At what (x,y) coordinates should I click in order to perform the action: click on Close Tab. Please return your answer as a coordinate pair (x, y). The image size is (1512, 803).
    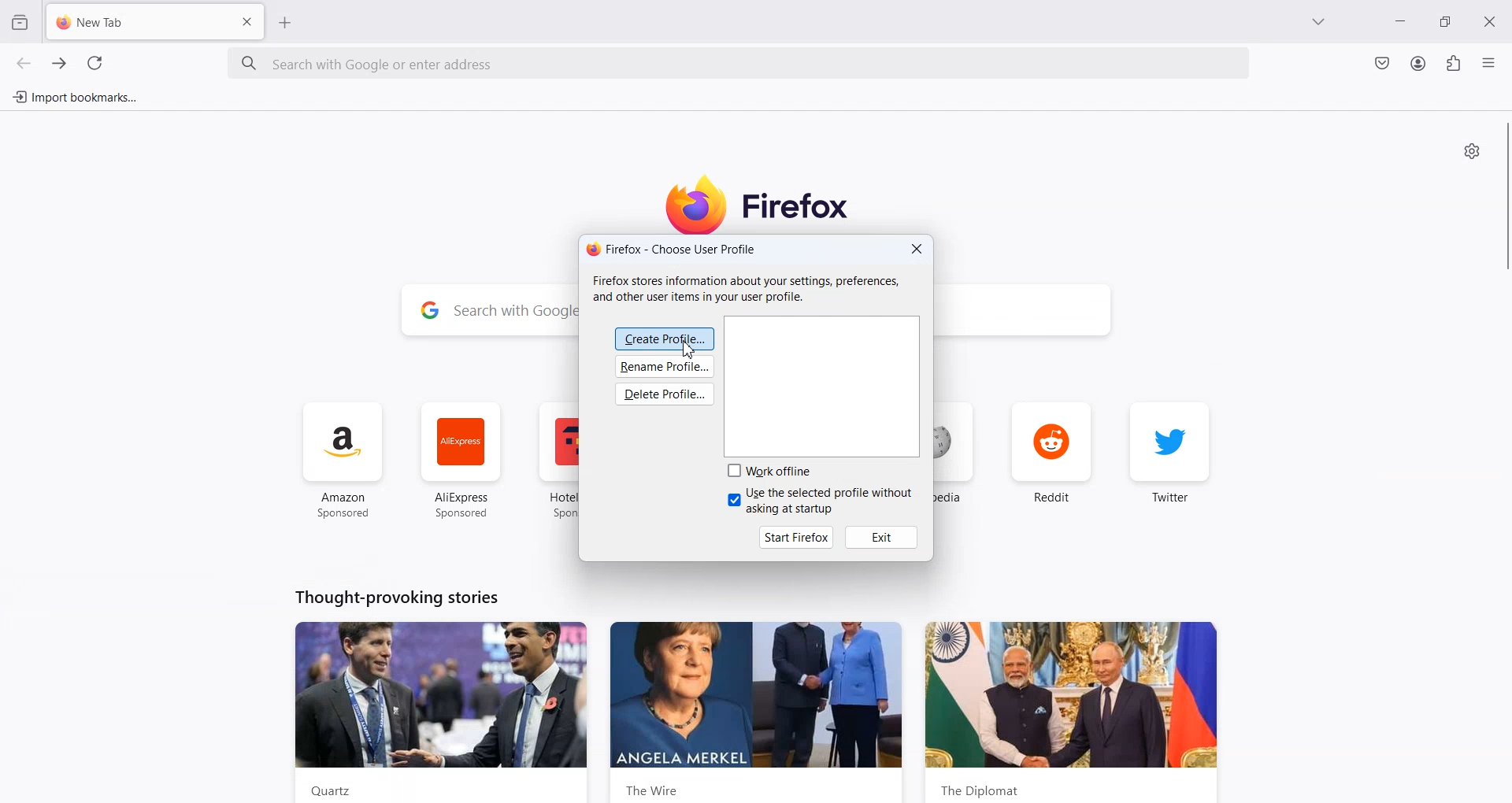
    Looking at the image, I should click on (248, 20).